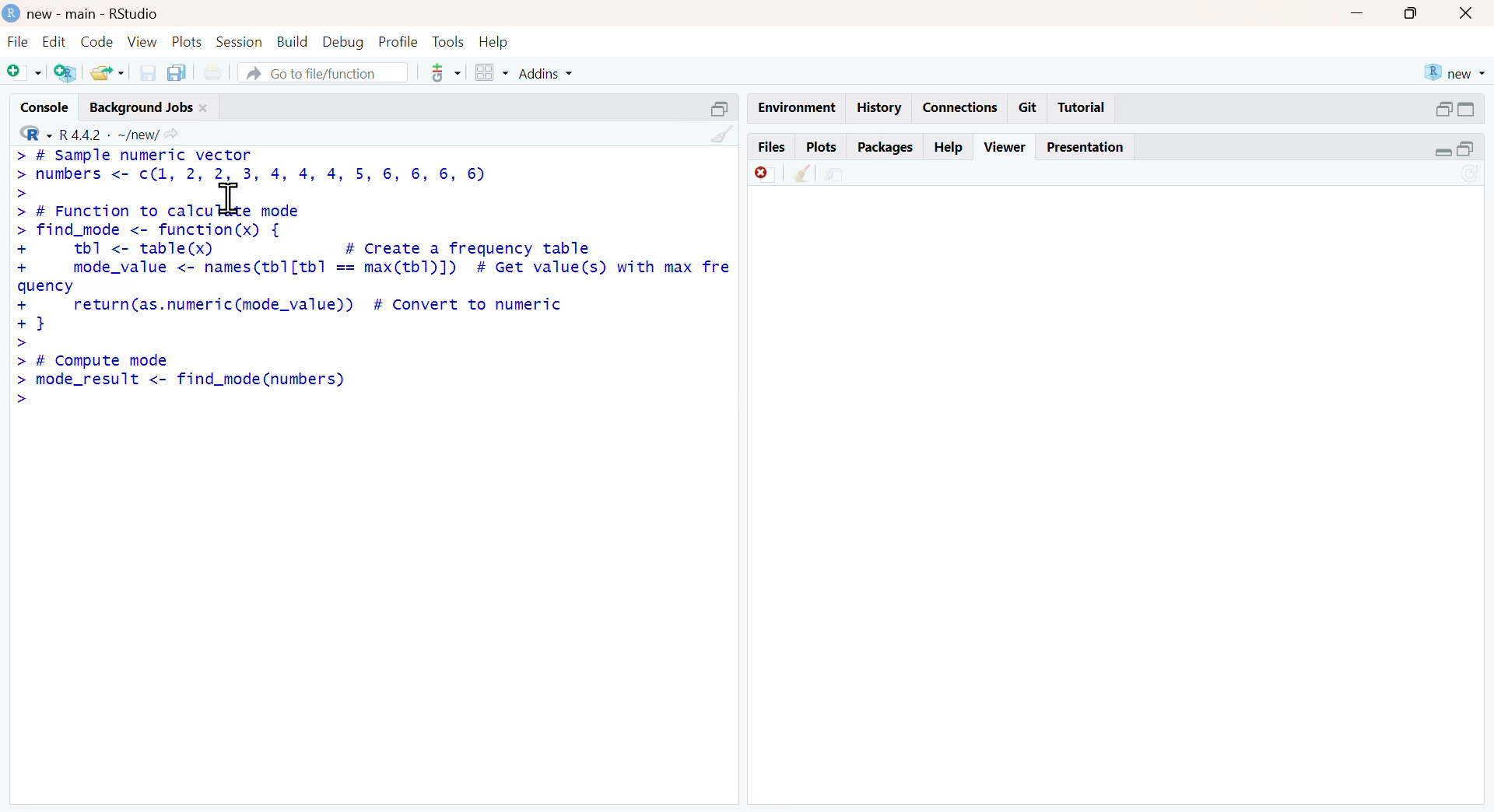 This screenshot has width=1494, height=812. I want to click on share, so click(835, 175).